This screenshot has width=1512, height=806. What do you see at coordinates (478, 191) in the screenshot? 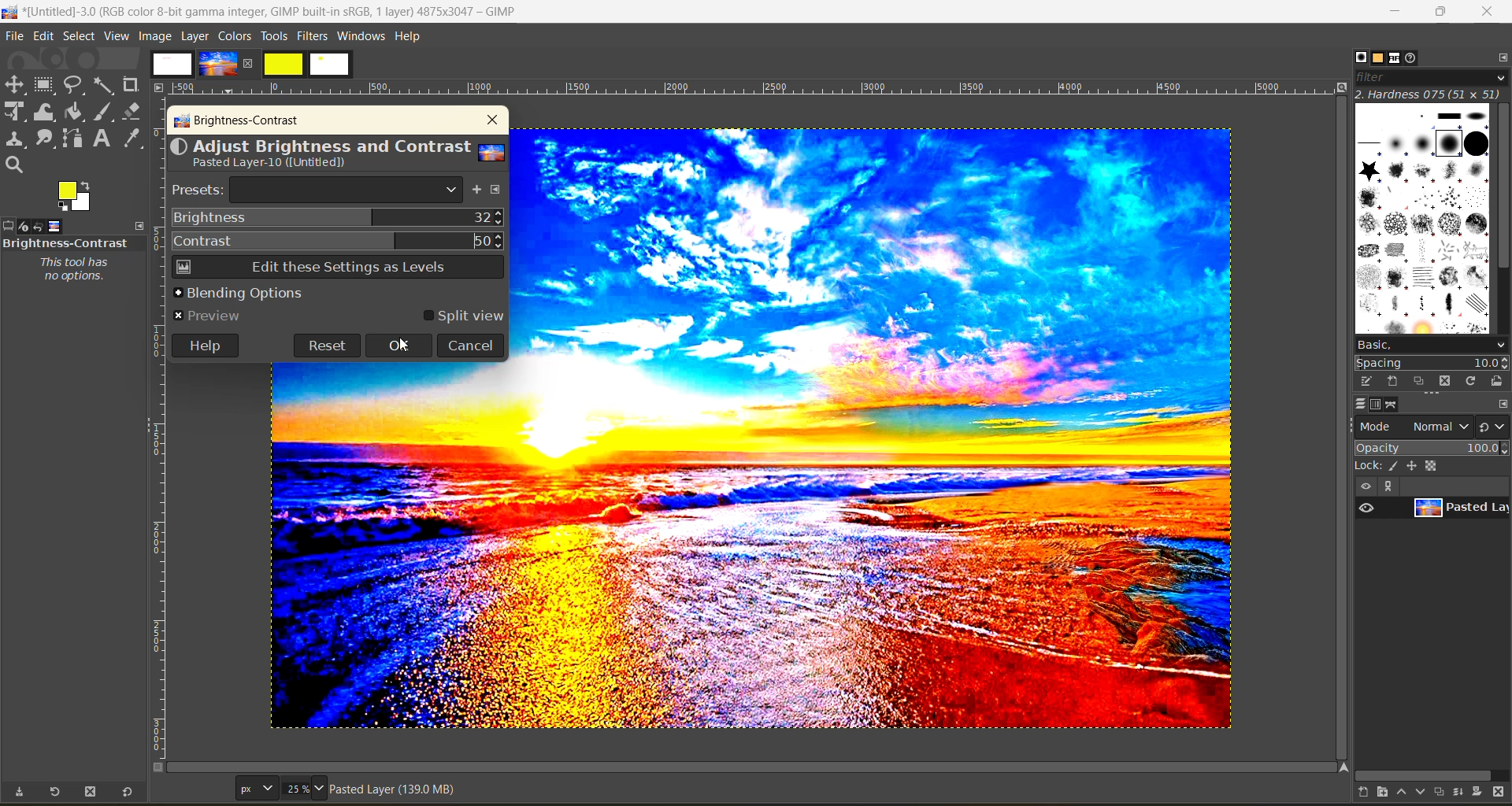
I see `add preset` at bounding box center [478, 191].